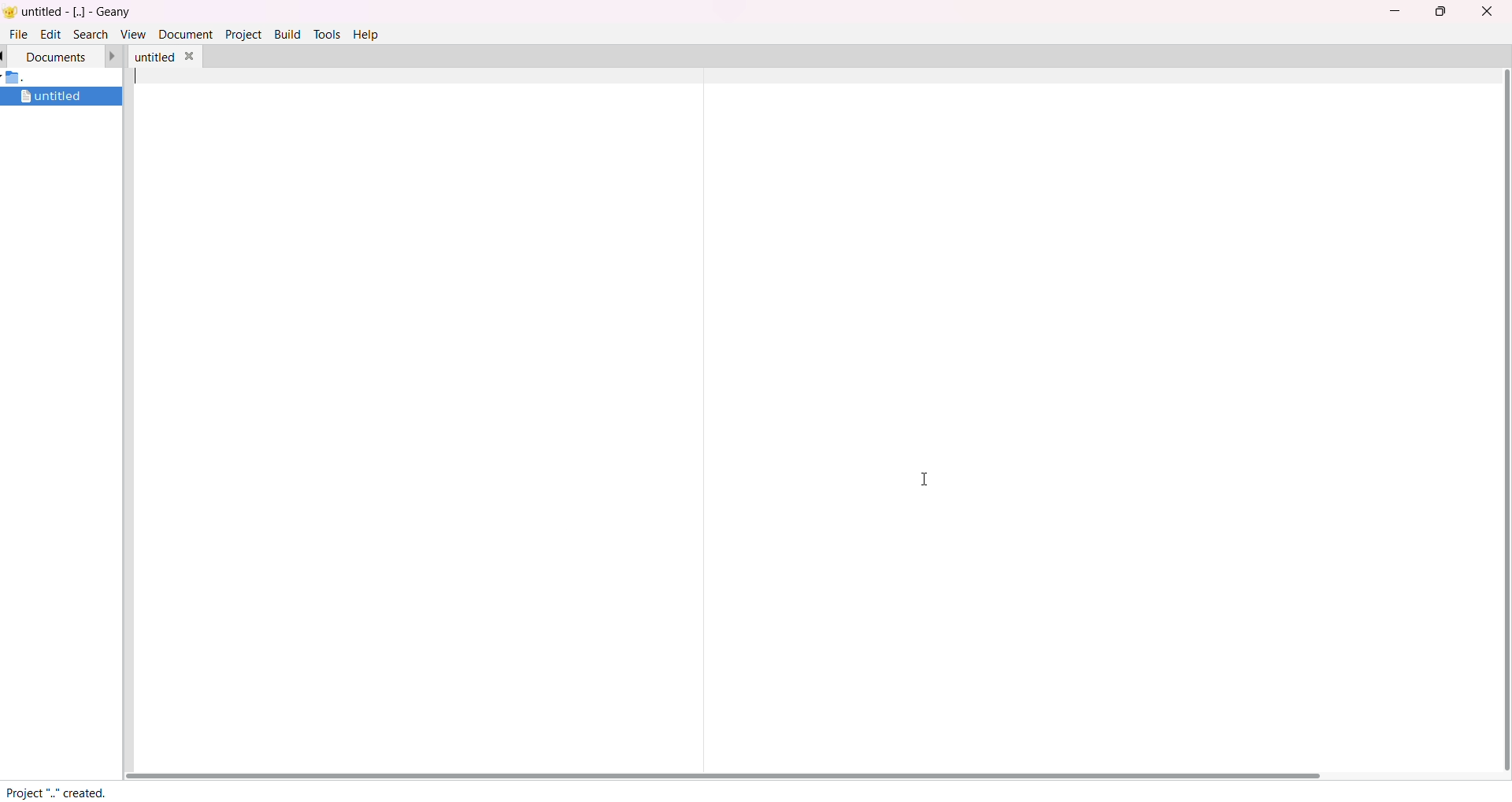  I want to click on documents, so click(57, 56).